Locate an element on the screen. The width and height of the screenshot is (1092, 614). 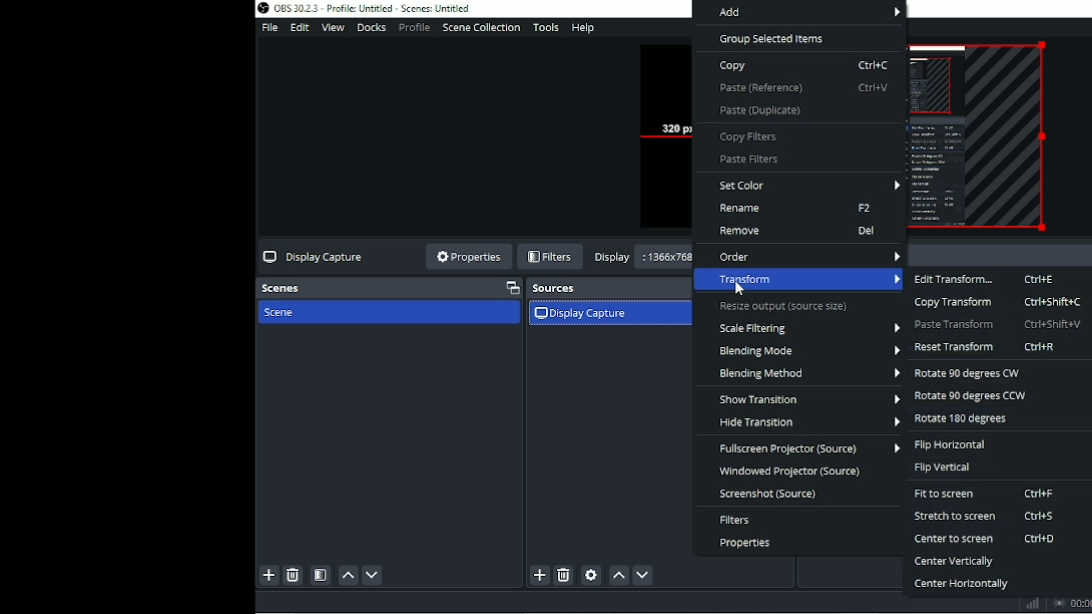
View is located at coordinates (333, 29).